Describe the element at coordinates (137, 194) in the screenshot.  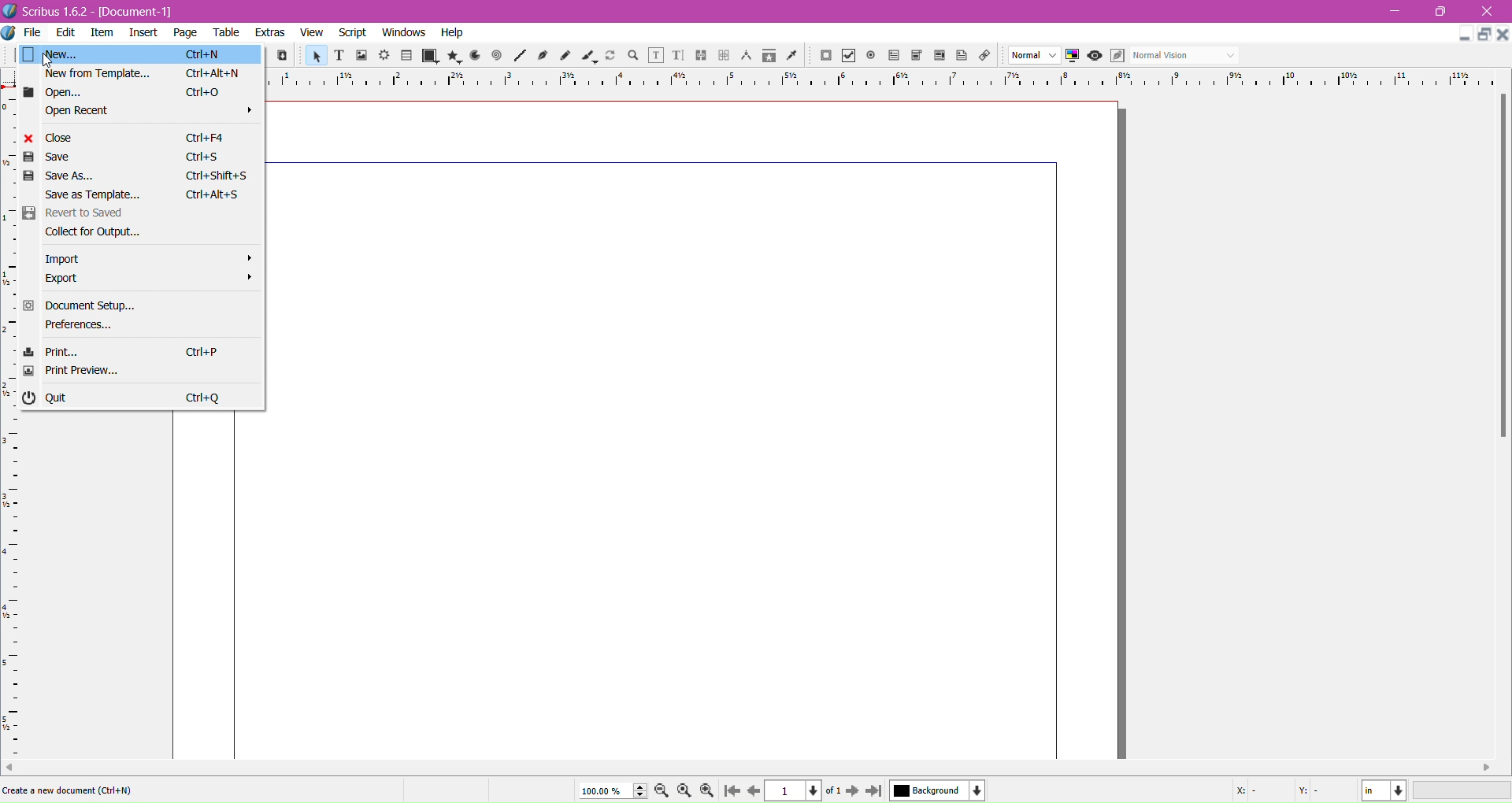
I see `Save as Template` at that location.